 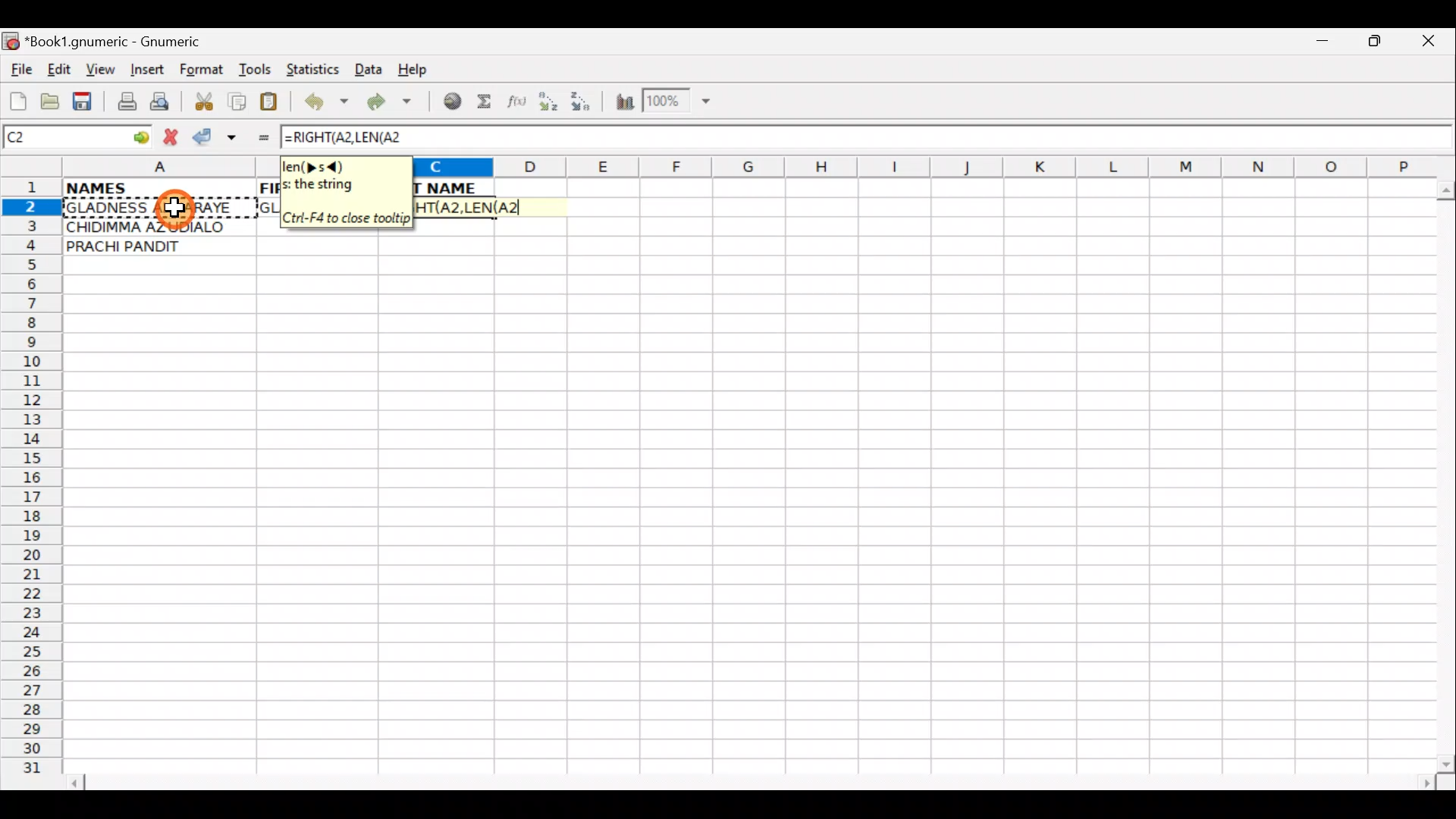 I want to click on Close, so click(x=1432, y=45).